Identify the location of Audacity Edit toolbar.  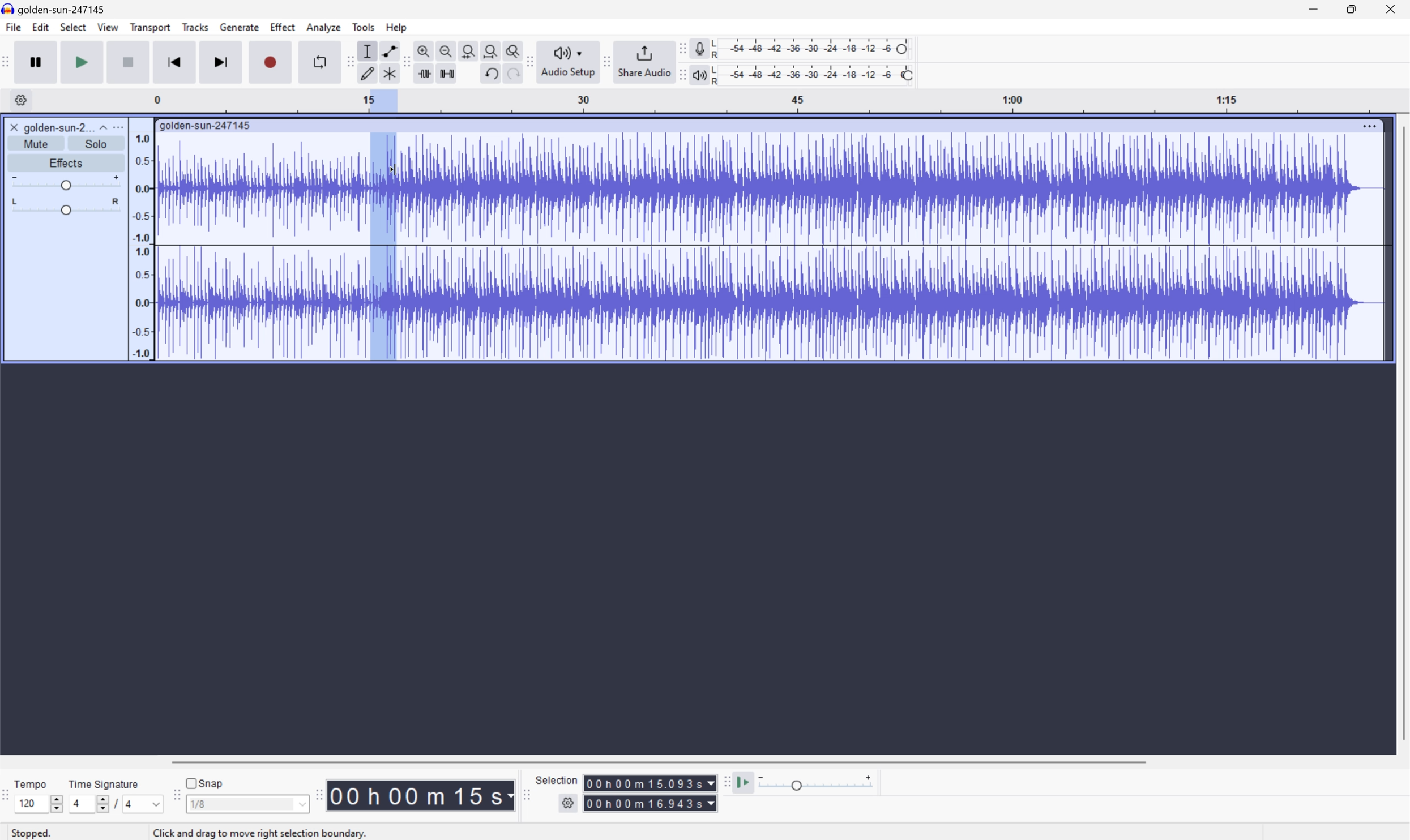
(347, 62).